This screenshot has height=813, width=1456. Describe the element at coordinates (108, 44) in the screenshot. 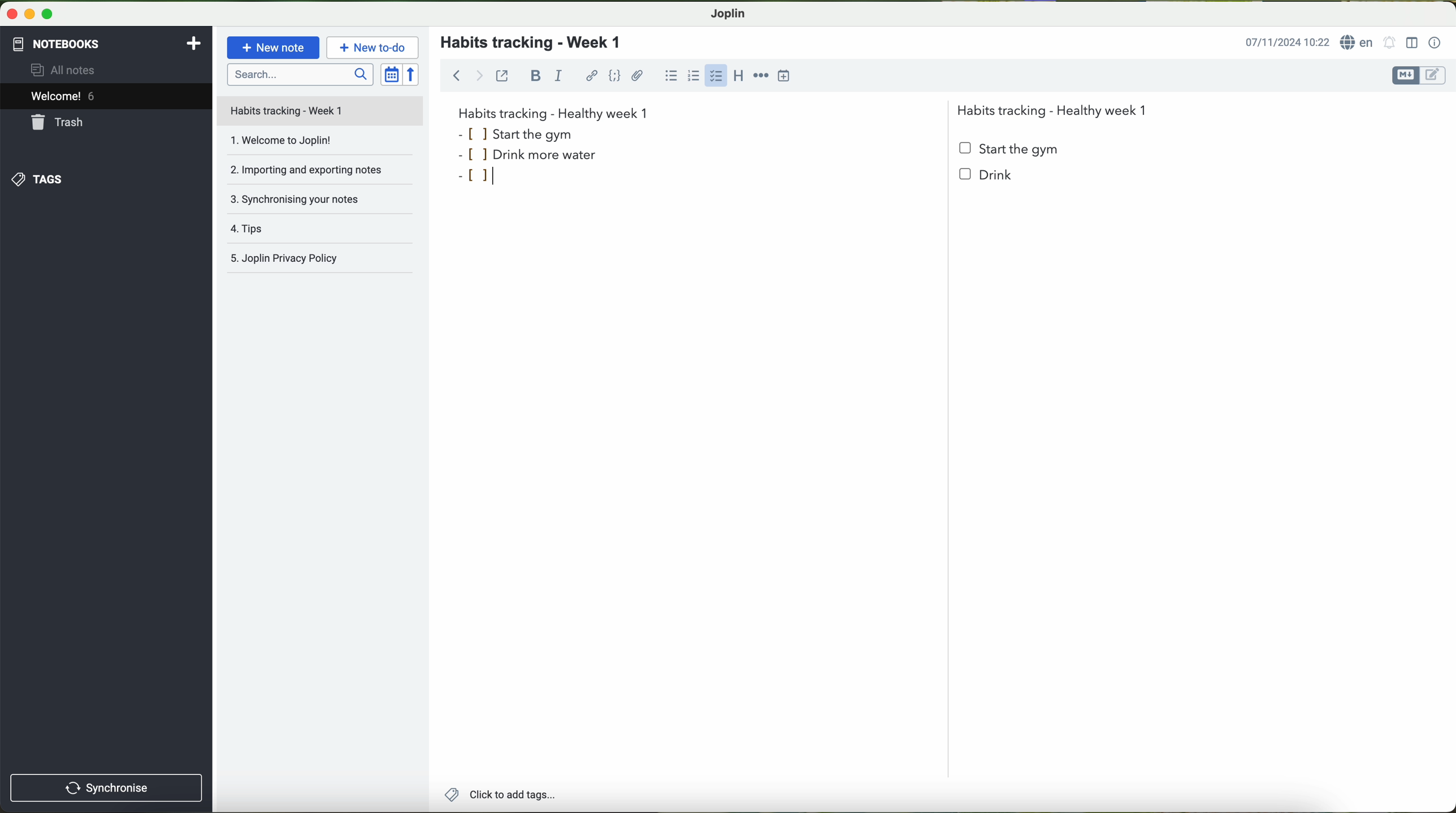

I see `notebooks tab` at that location.